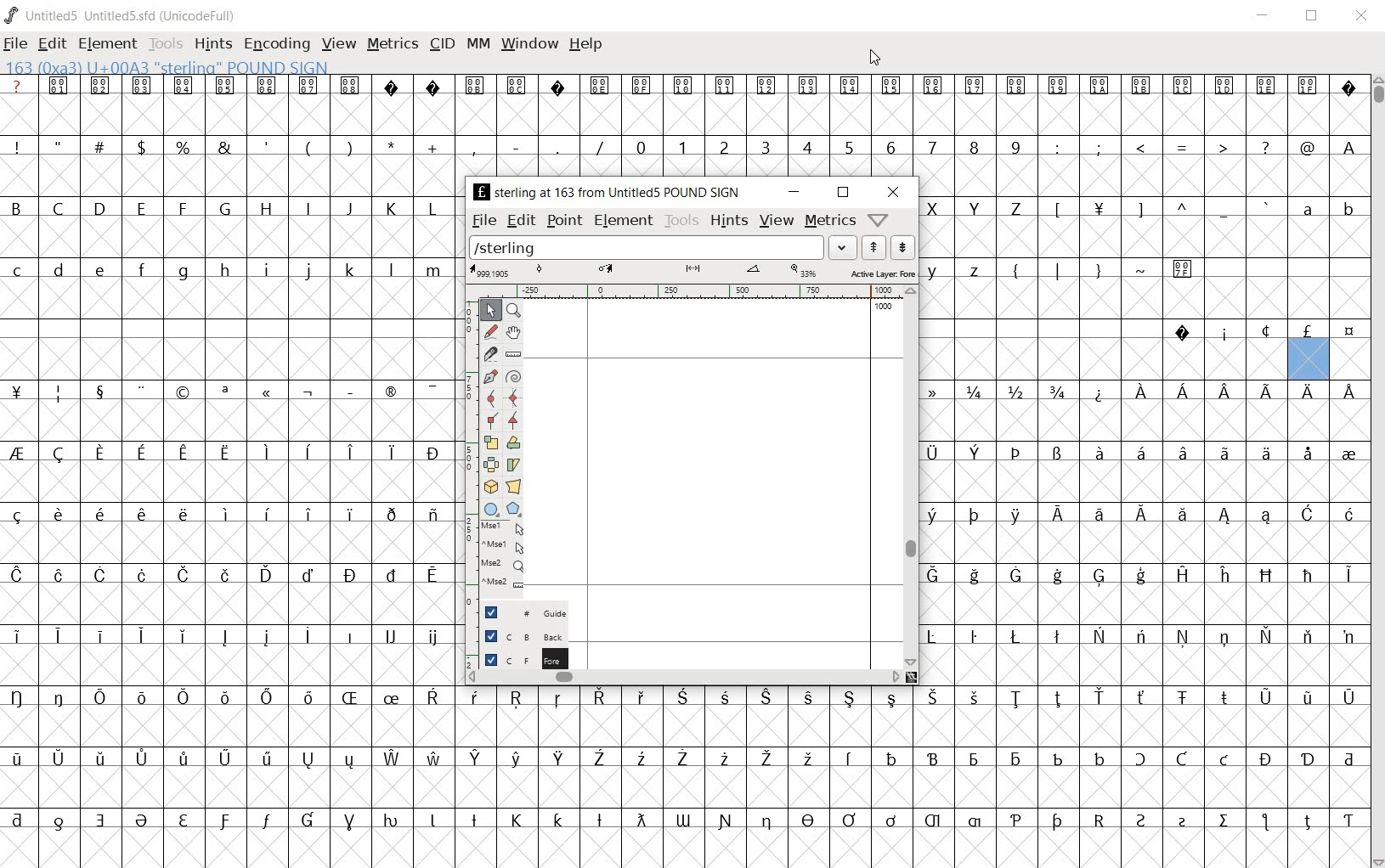  What do you see at coordinates (1015, 821) in the screenshot?
I see `Symbol` at bounding box center [1015, 821].